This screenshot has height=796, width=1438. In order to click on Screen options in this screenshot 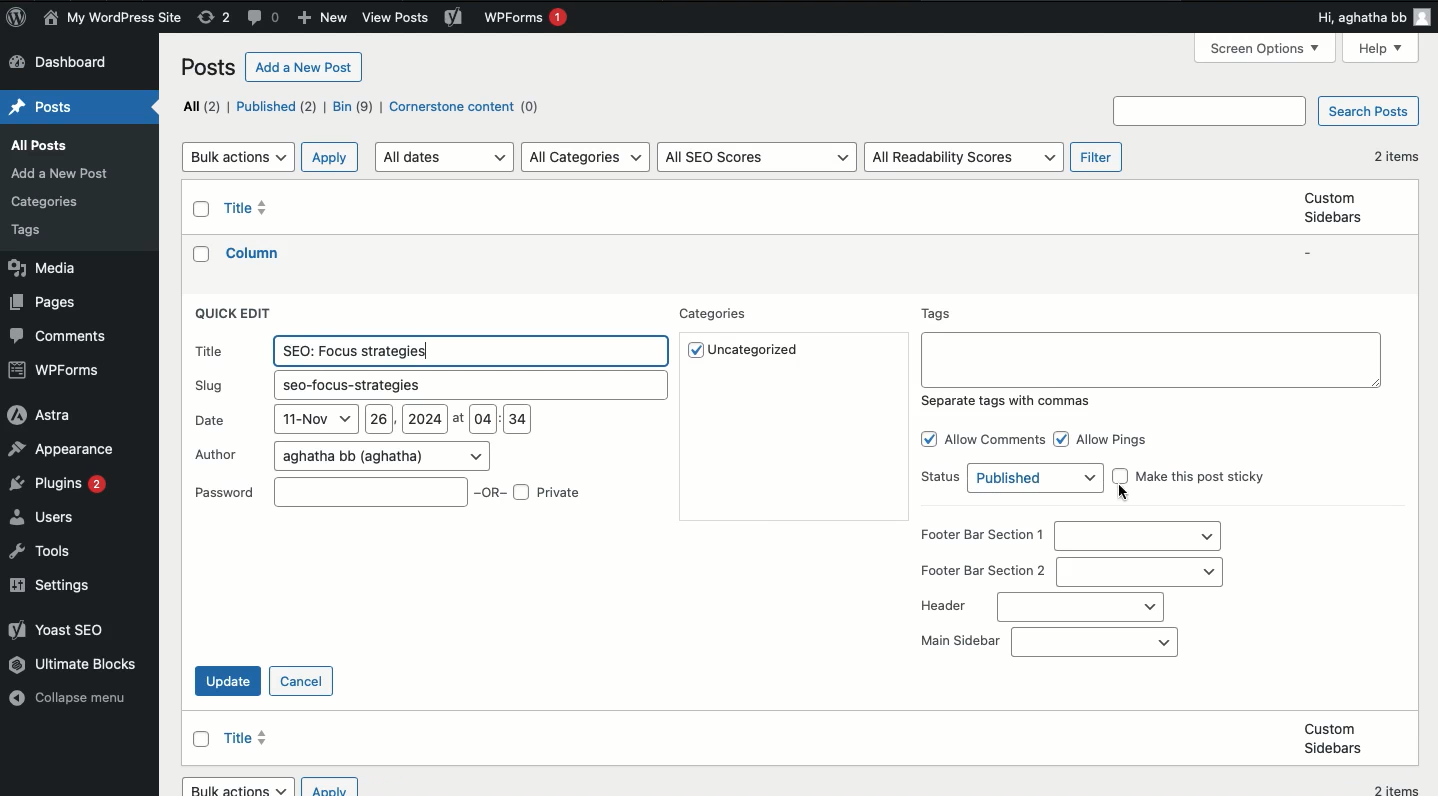, I will do `click(1268, 47)`.